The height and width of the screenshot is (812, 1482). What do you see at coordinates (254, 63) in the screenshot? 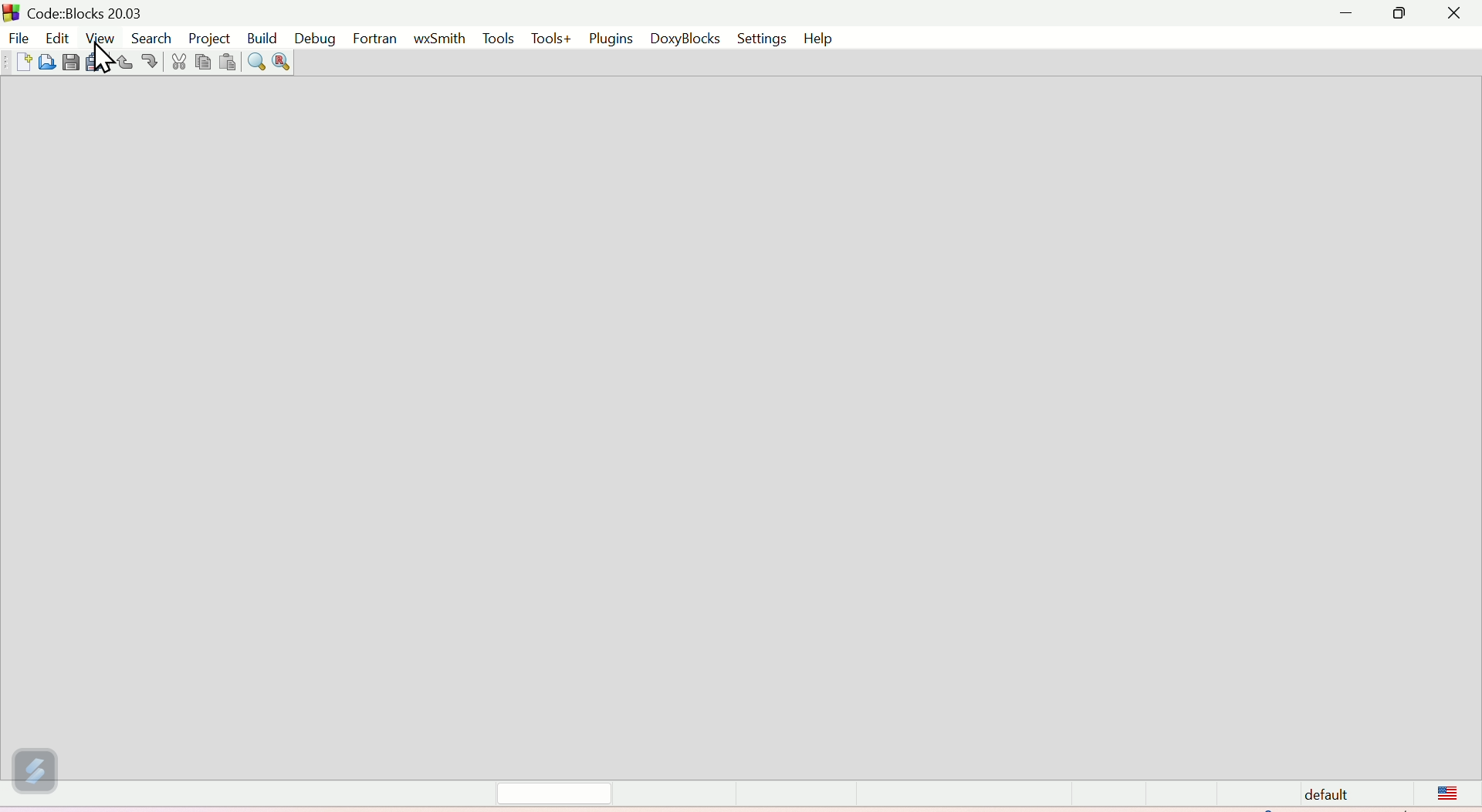
I see `search` at bounding box center [254, 63].